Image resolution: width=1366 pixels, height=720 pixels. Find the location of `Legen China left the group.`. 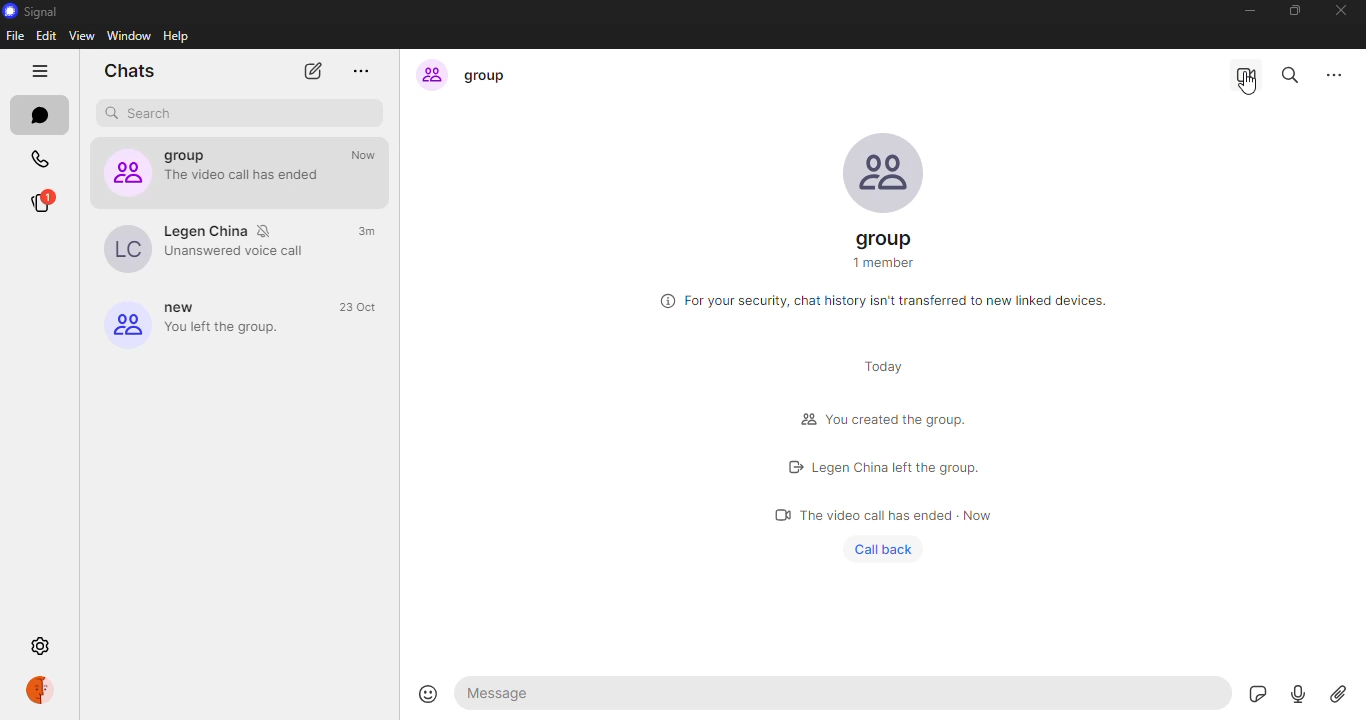

Legen China left the group. is located at coordinates (894, 467).